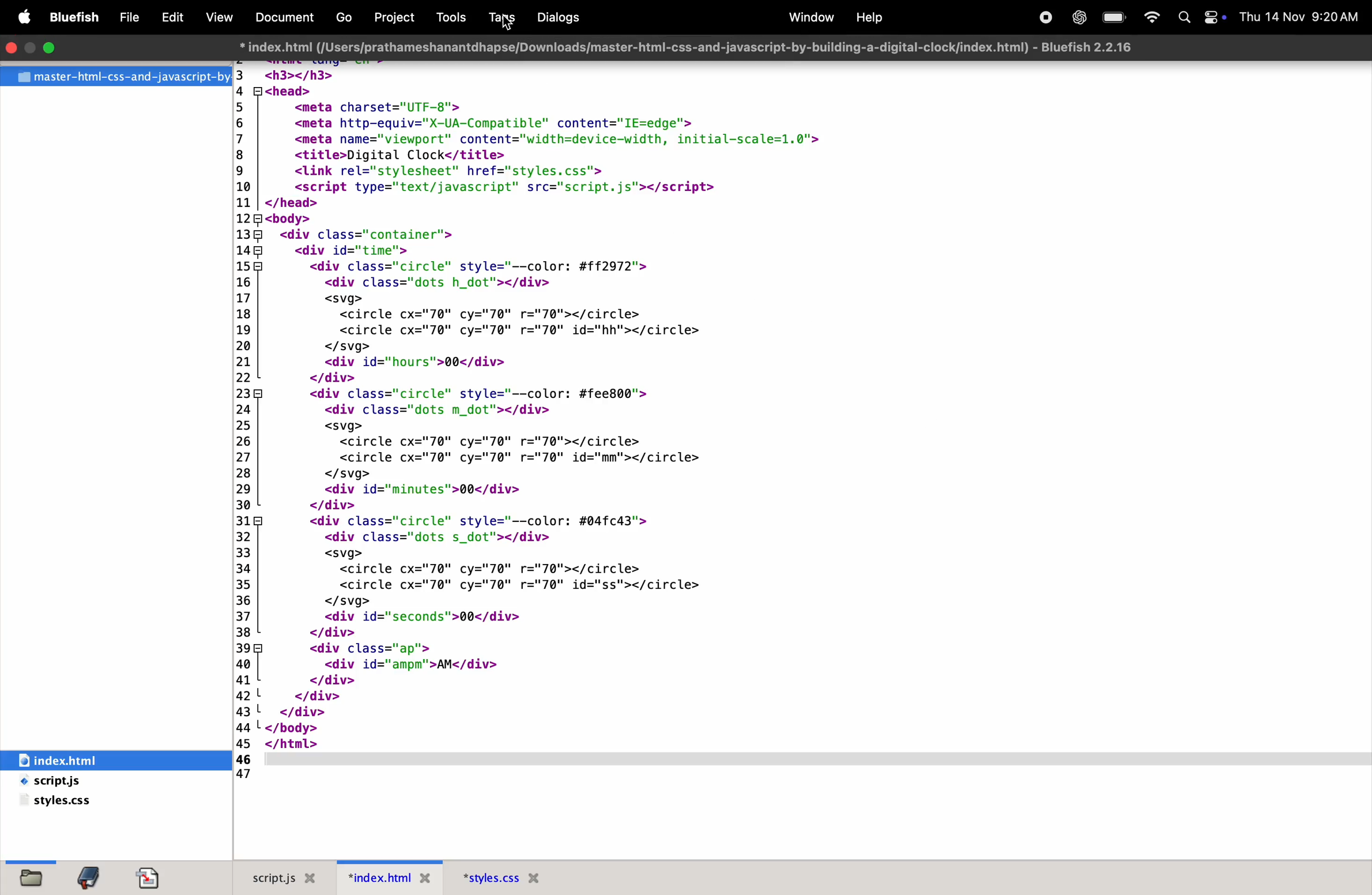 Image resolution: width=1372 pixels, height=895 pixels. Describe the element at coordinates (1044, 17) in the screenshot. I see `record` at that location.